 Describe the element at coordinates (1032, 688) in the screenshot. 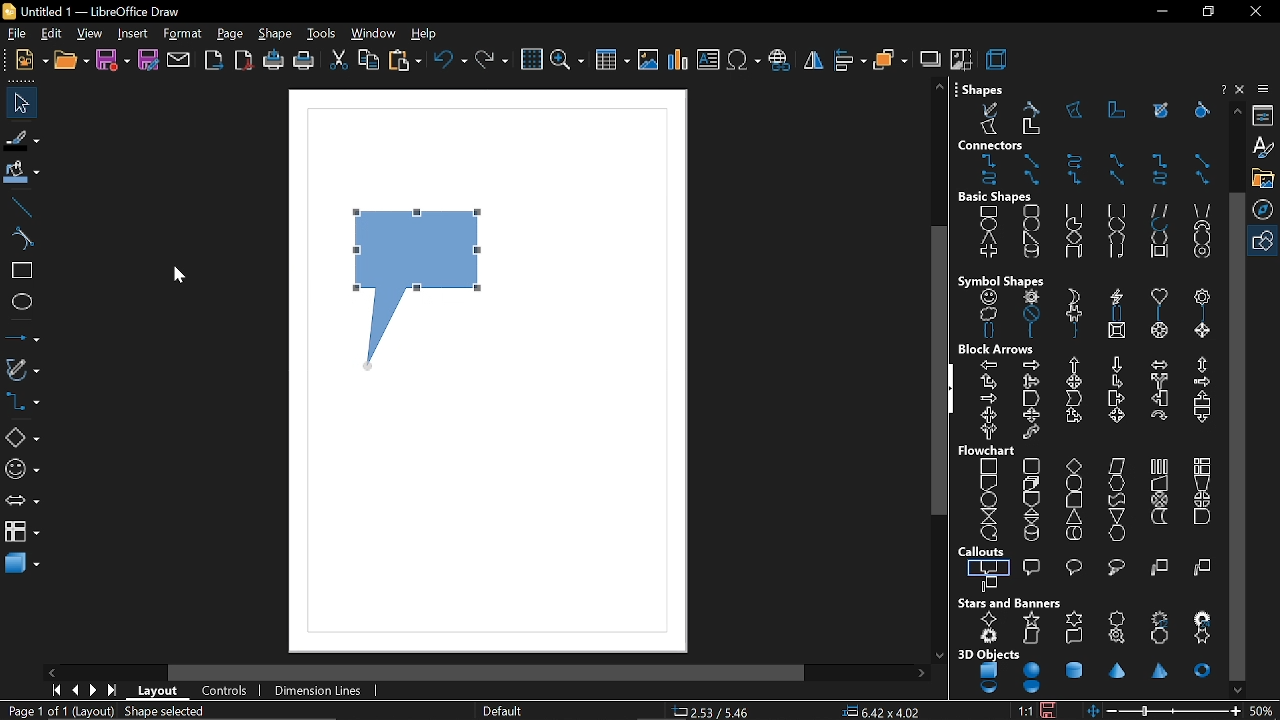

I see `half sphere` at that location.